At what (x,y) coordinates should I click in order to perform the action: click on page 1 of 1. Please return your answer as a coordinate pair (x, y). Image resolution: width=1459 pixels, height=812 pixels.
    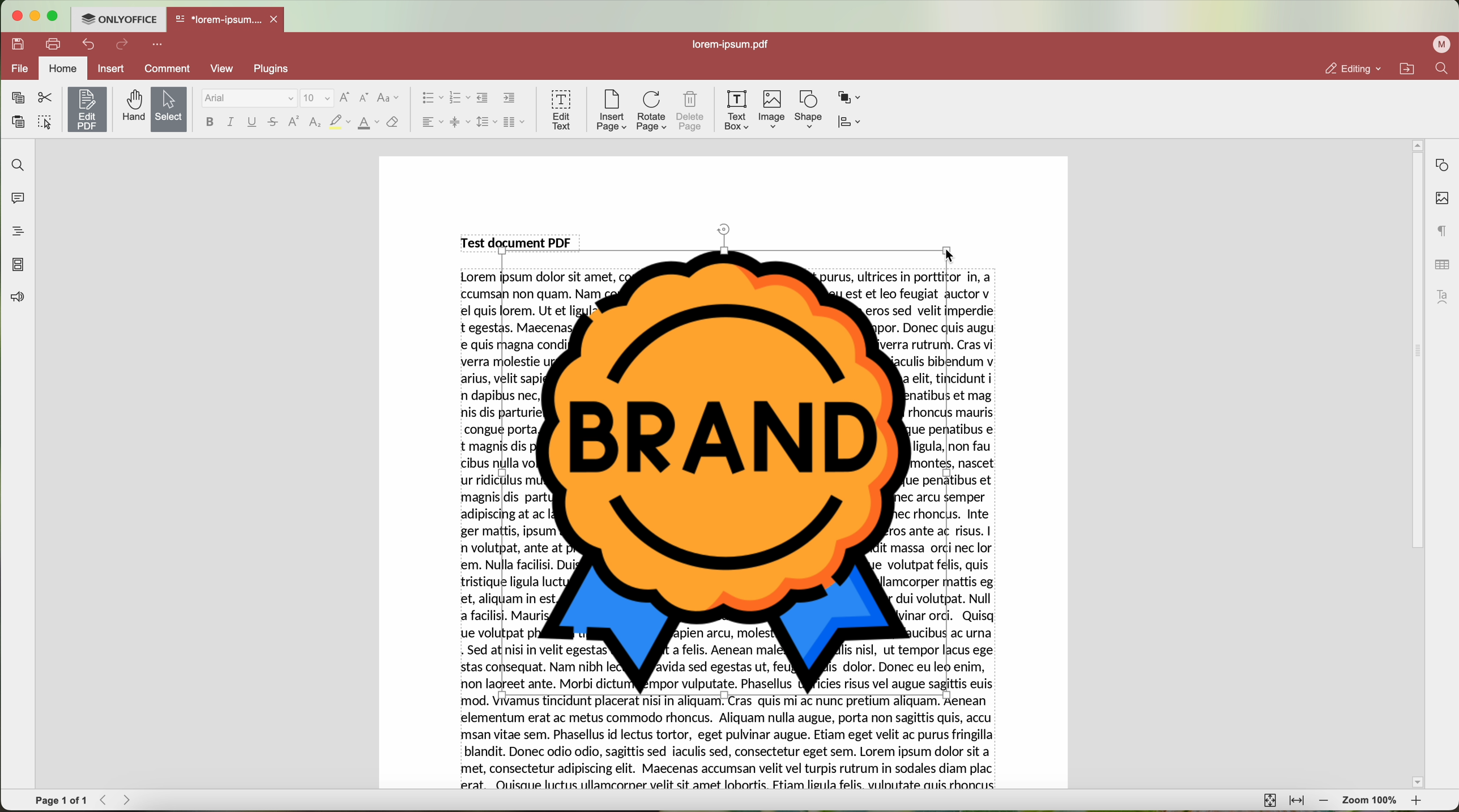
    Looking at the image, I should click on (61, 801).